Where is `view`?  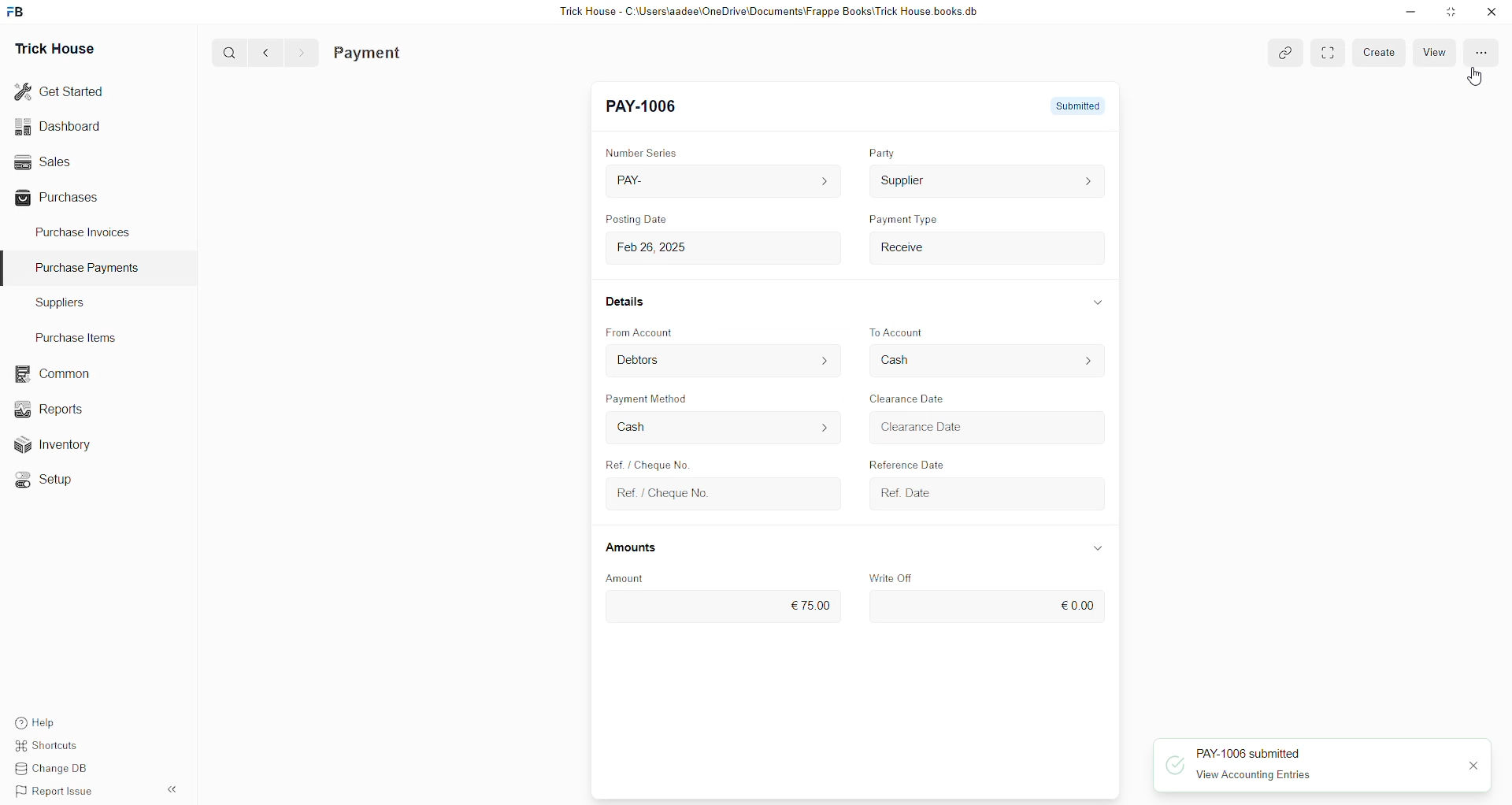
view is located at coordinates (1434, 52).